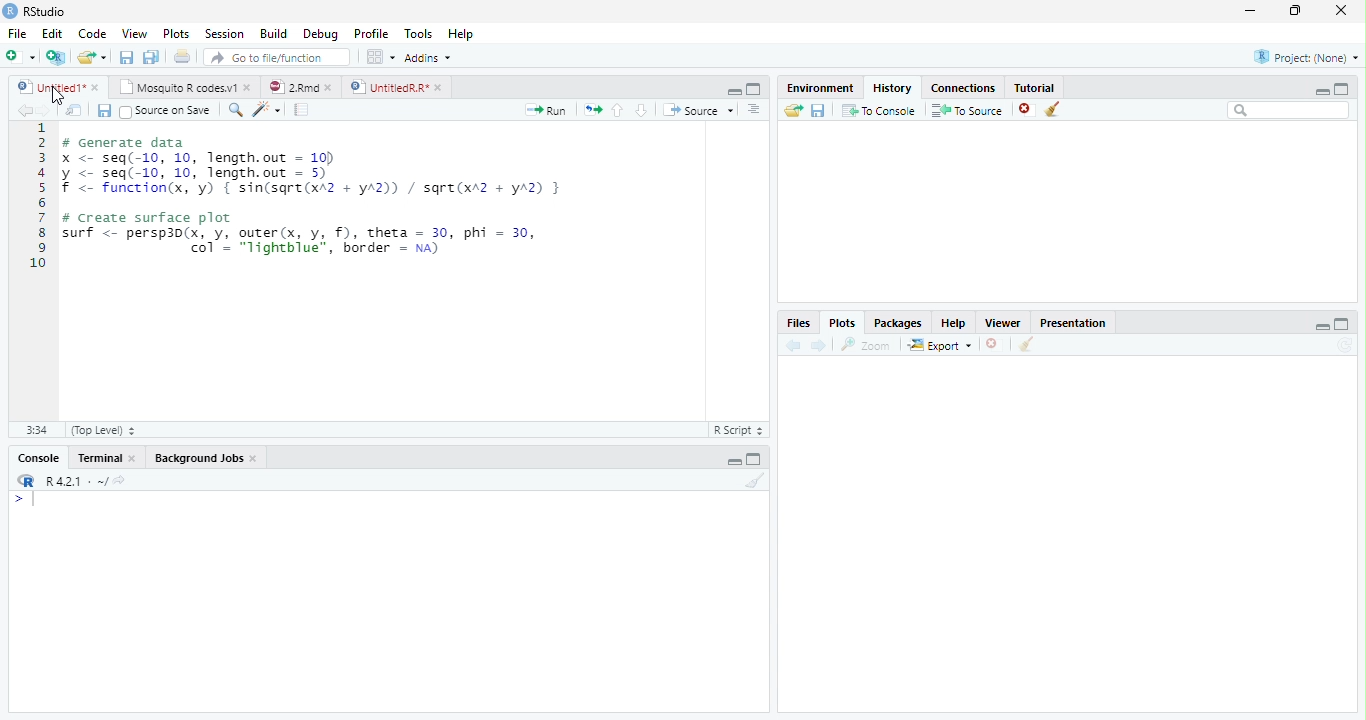 This screenshot has width=1366, height=720. What do you see at coordinates (954, 322) in the screenshot?
I see `Help` at bounding box center [954, 322].